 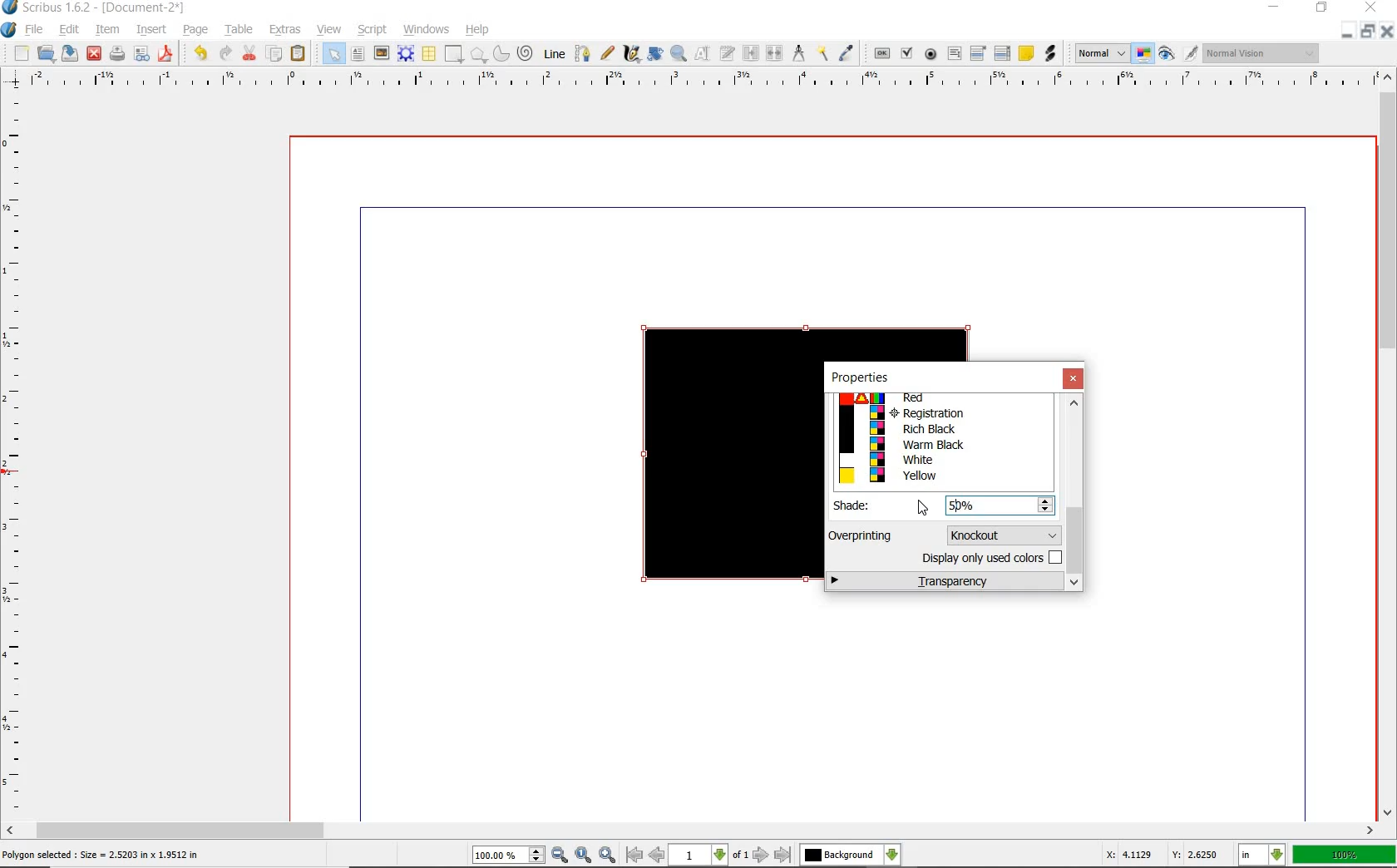 What do you see at coordinates (276, 52) in the screenshot?
I see `copy` at bounding box center [276, 52].